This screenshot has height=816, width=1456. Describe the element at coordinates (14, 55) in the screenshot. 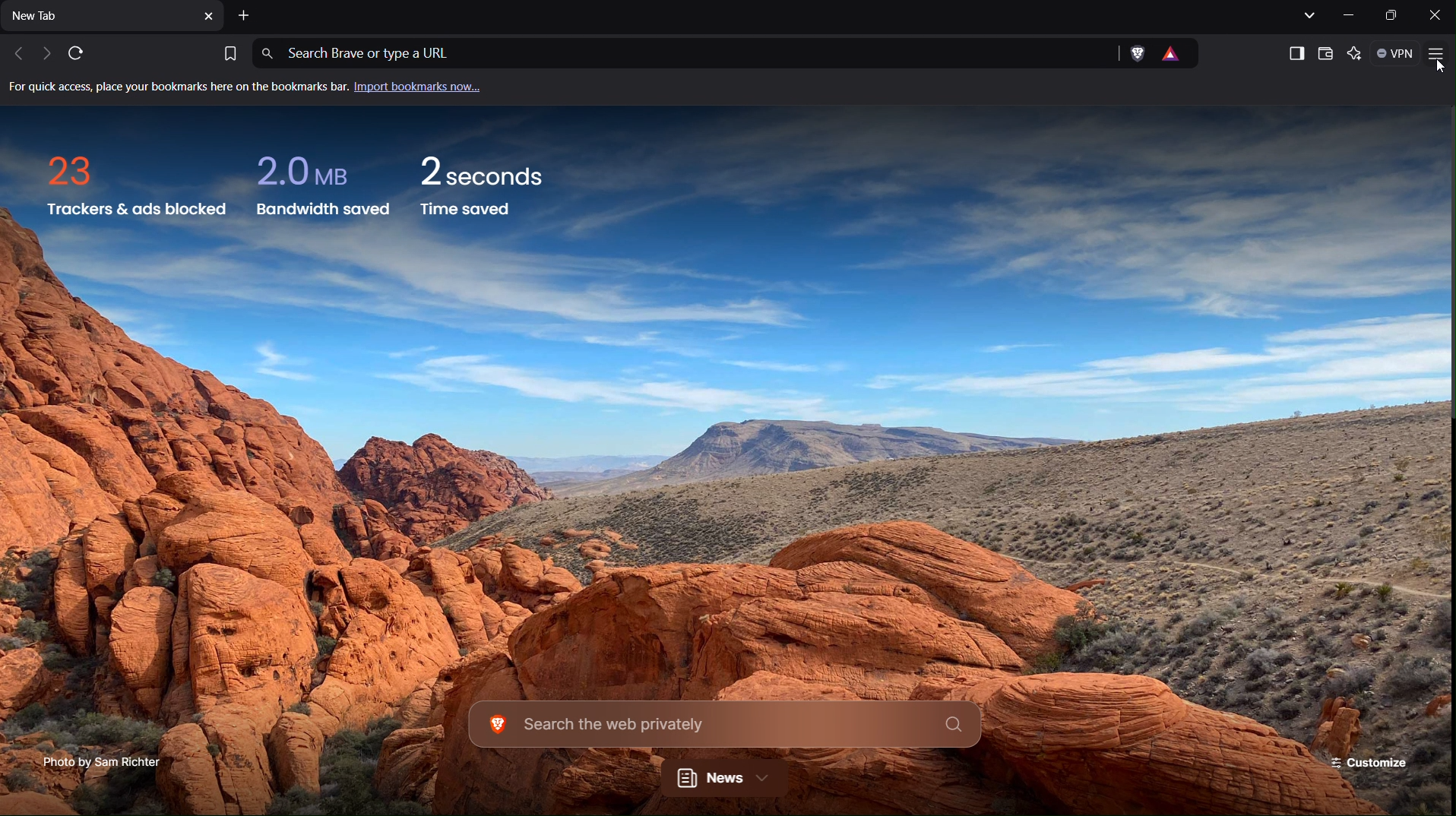

I see `Previous Tab` at that location.